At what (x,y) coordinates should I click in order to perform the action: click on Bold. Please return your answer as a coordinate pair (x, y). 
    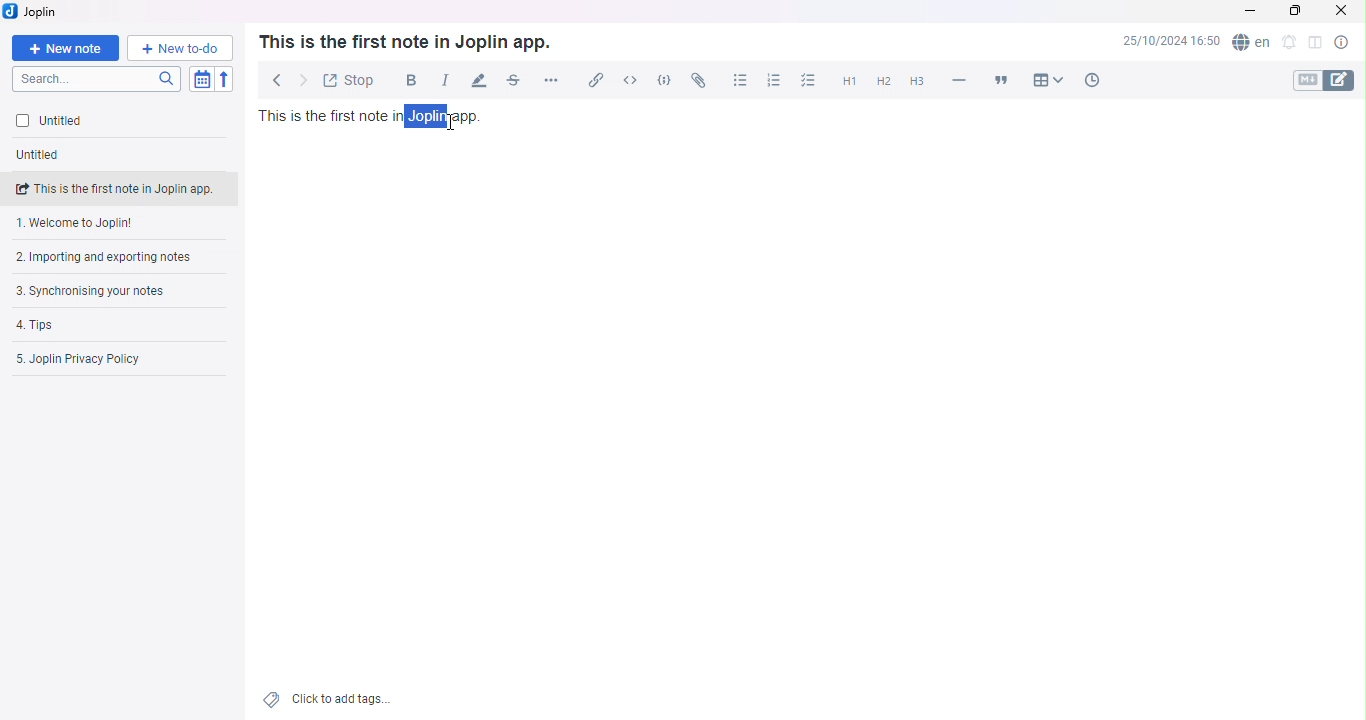
    Looking at the image, I should click on (406, 79).